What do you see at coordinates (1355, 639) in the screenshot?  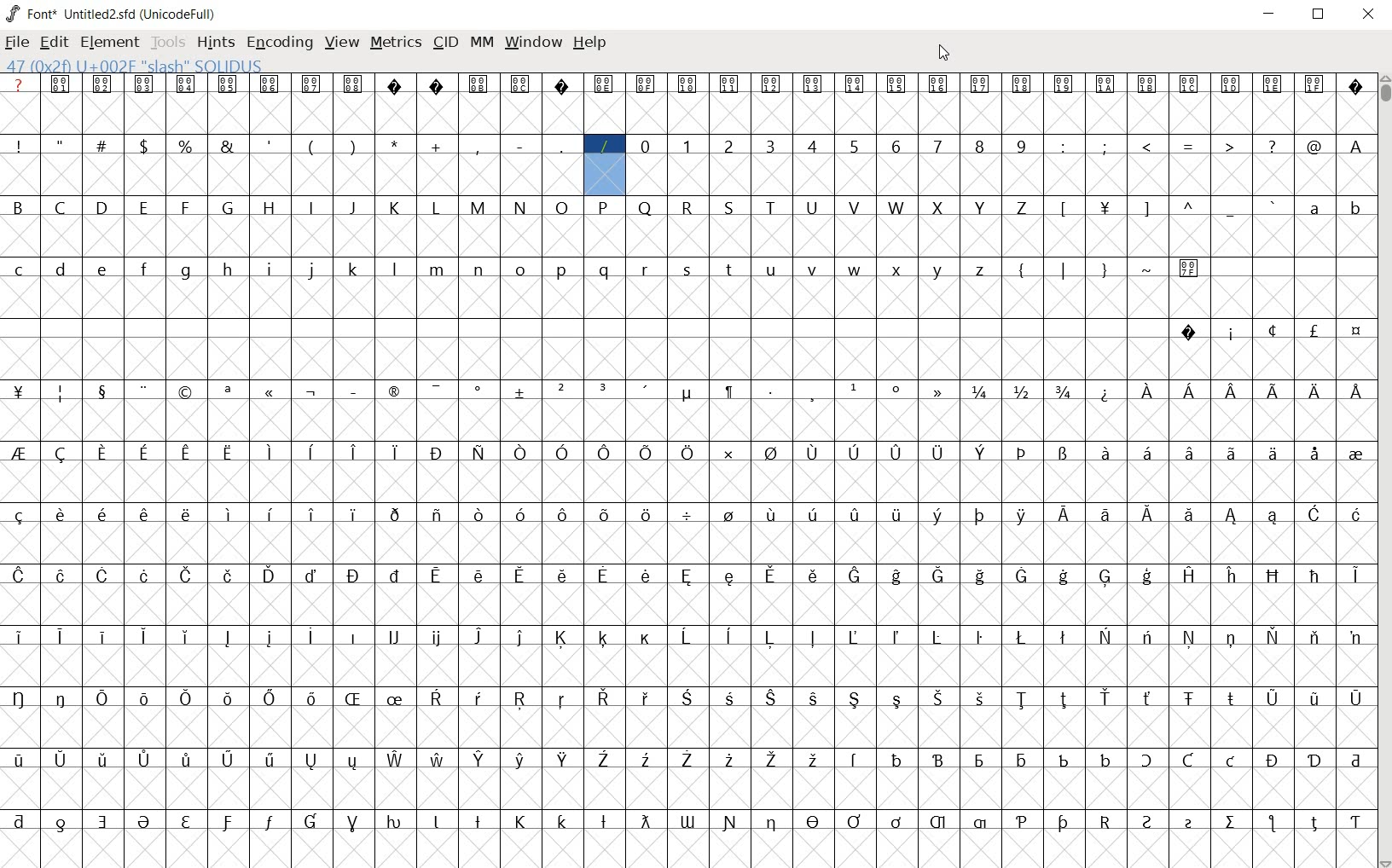 I see `glyph` at bounding box center [1355, 639].